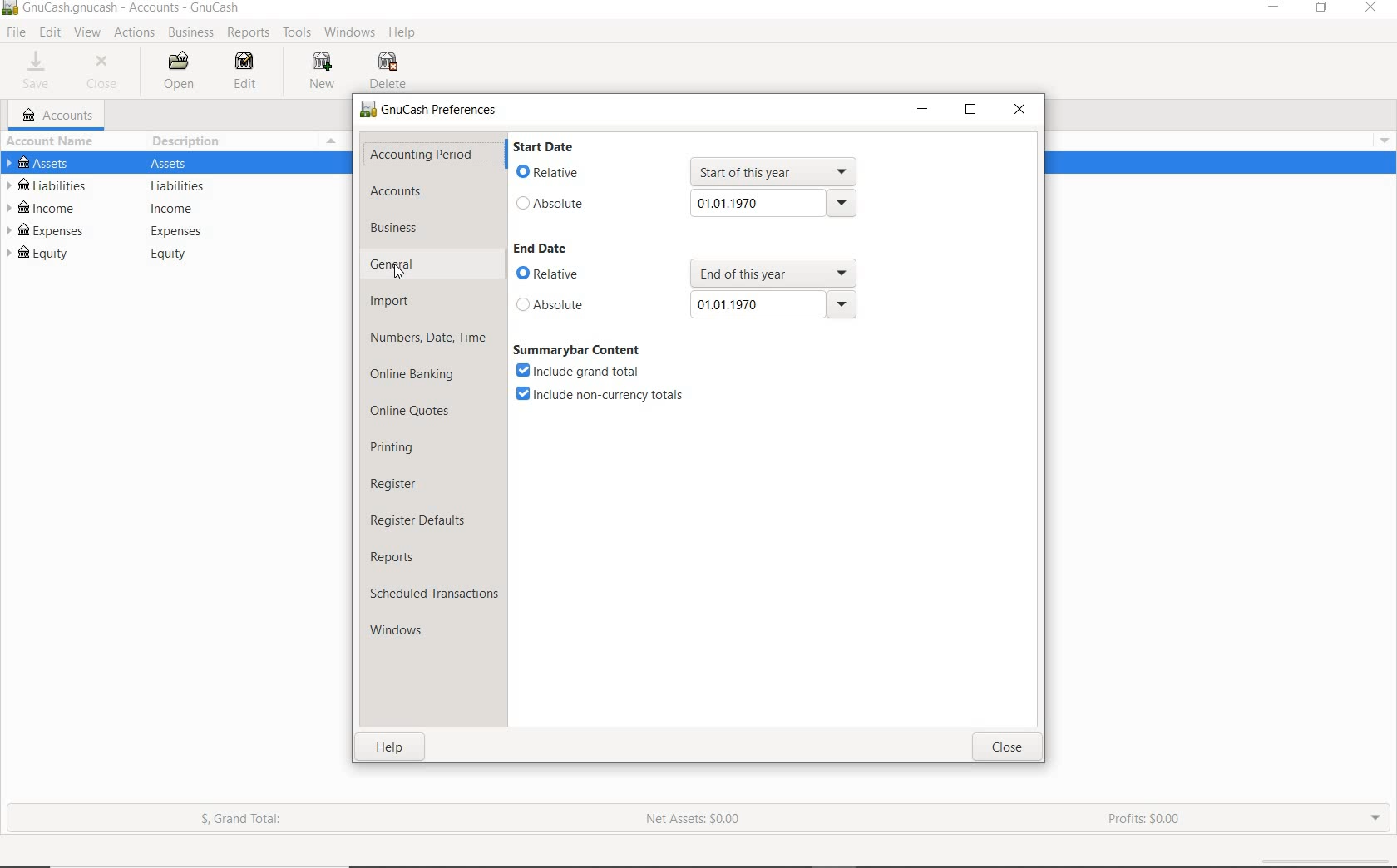  Describe the element at coordinates (385, 749) in the screenshot. I see `HELP` at that location.